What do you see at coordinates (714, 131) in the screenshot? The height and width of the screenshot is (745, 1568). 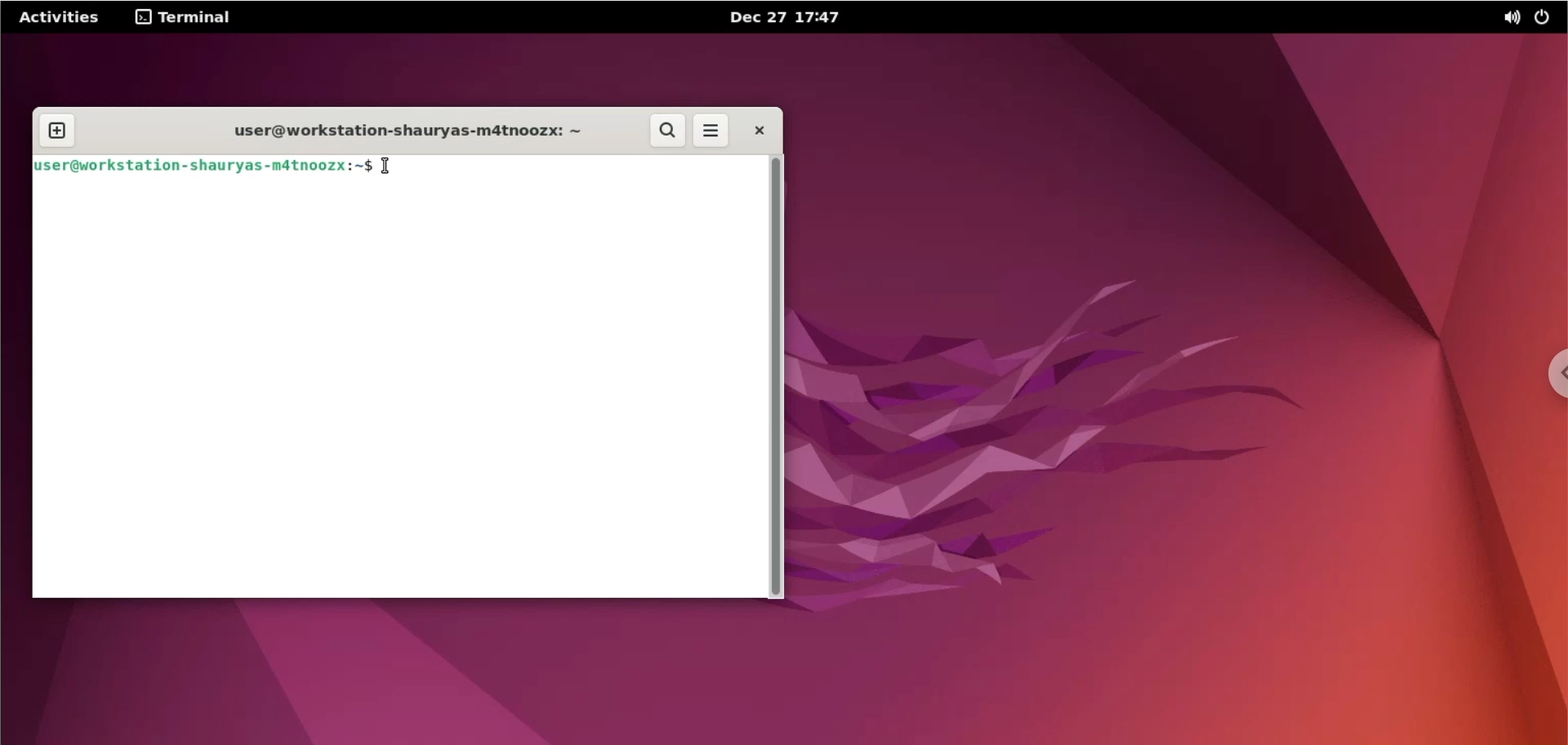 I see `more options` at bounding box center [714, 131].